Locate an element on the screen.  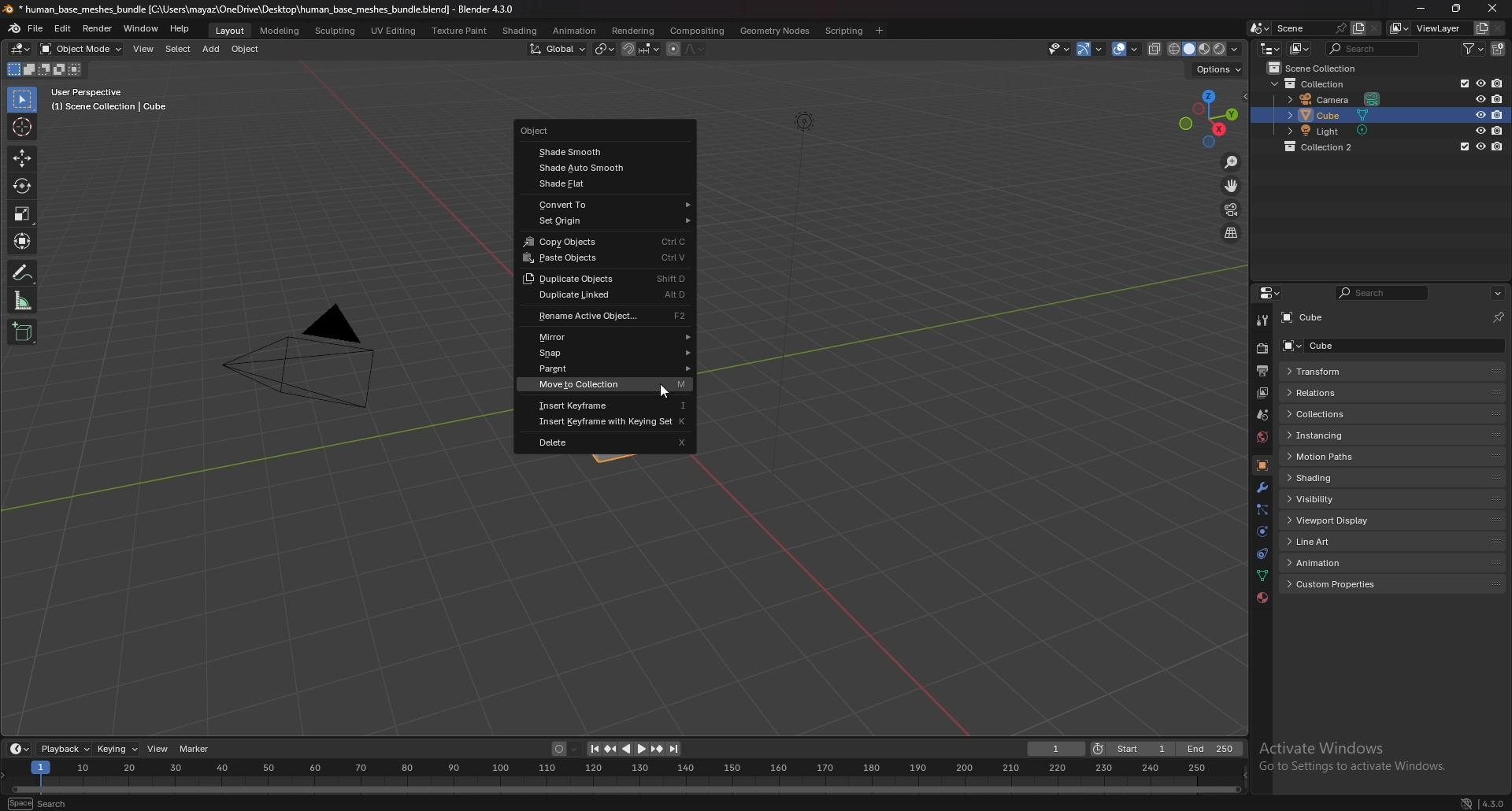
scene is located at coordinates (1263, 414).